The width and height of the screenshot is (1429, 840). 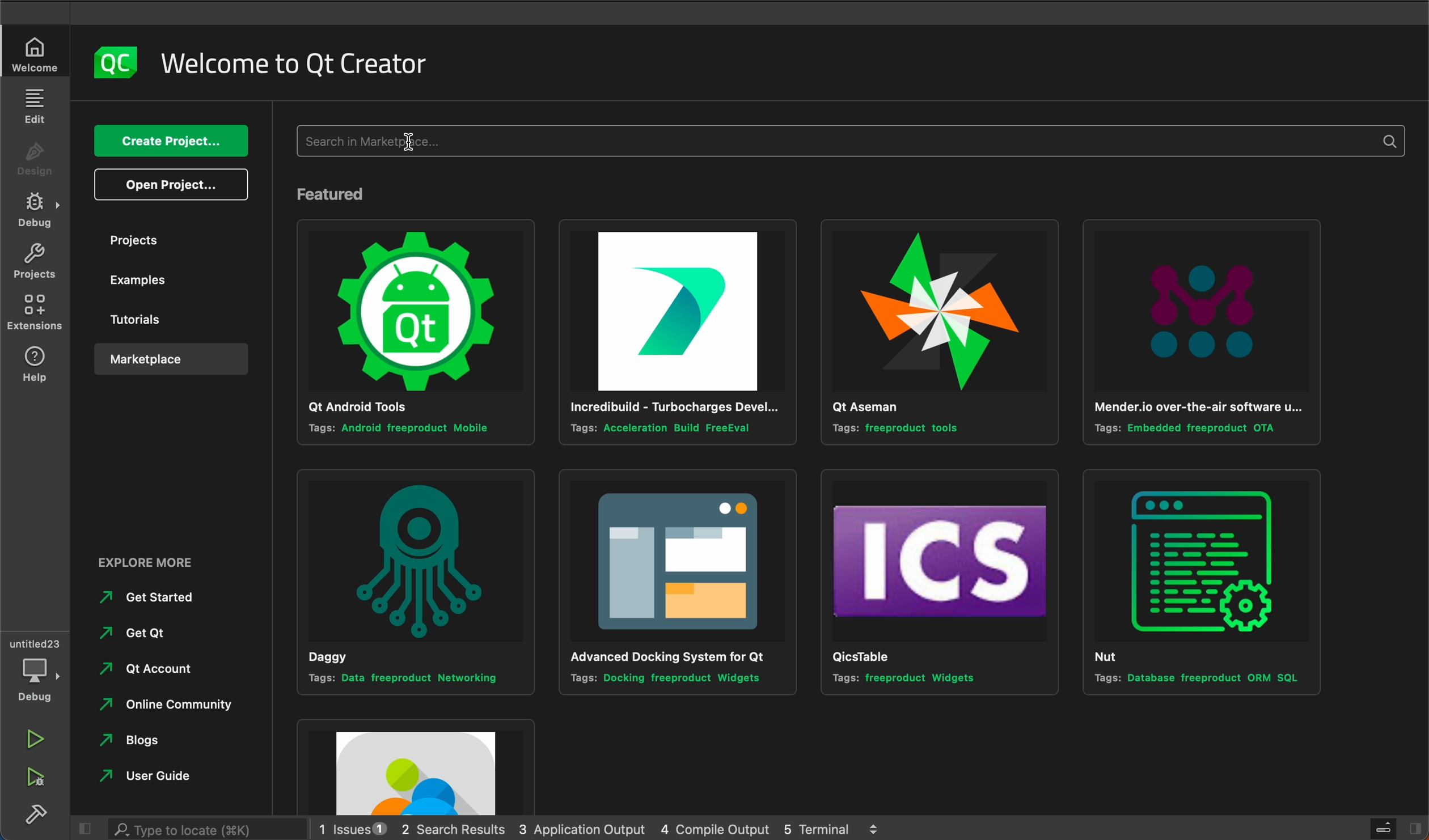 I want to click on close slide bar, so click(x=1396, y=829).